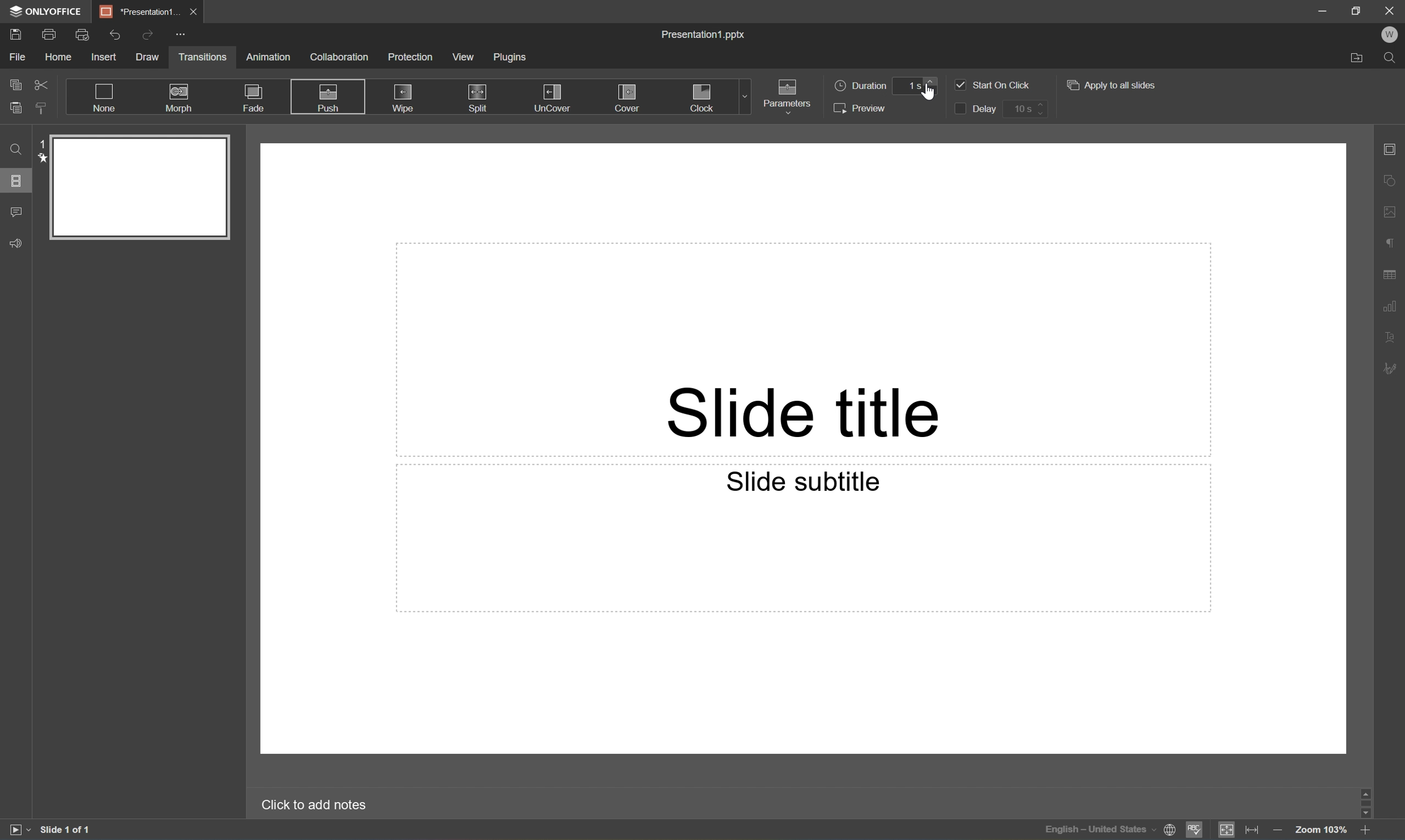  Describe the element at coordinates (1389, 243) in the screenshot. I see `Paragraph settings` at that location.